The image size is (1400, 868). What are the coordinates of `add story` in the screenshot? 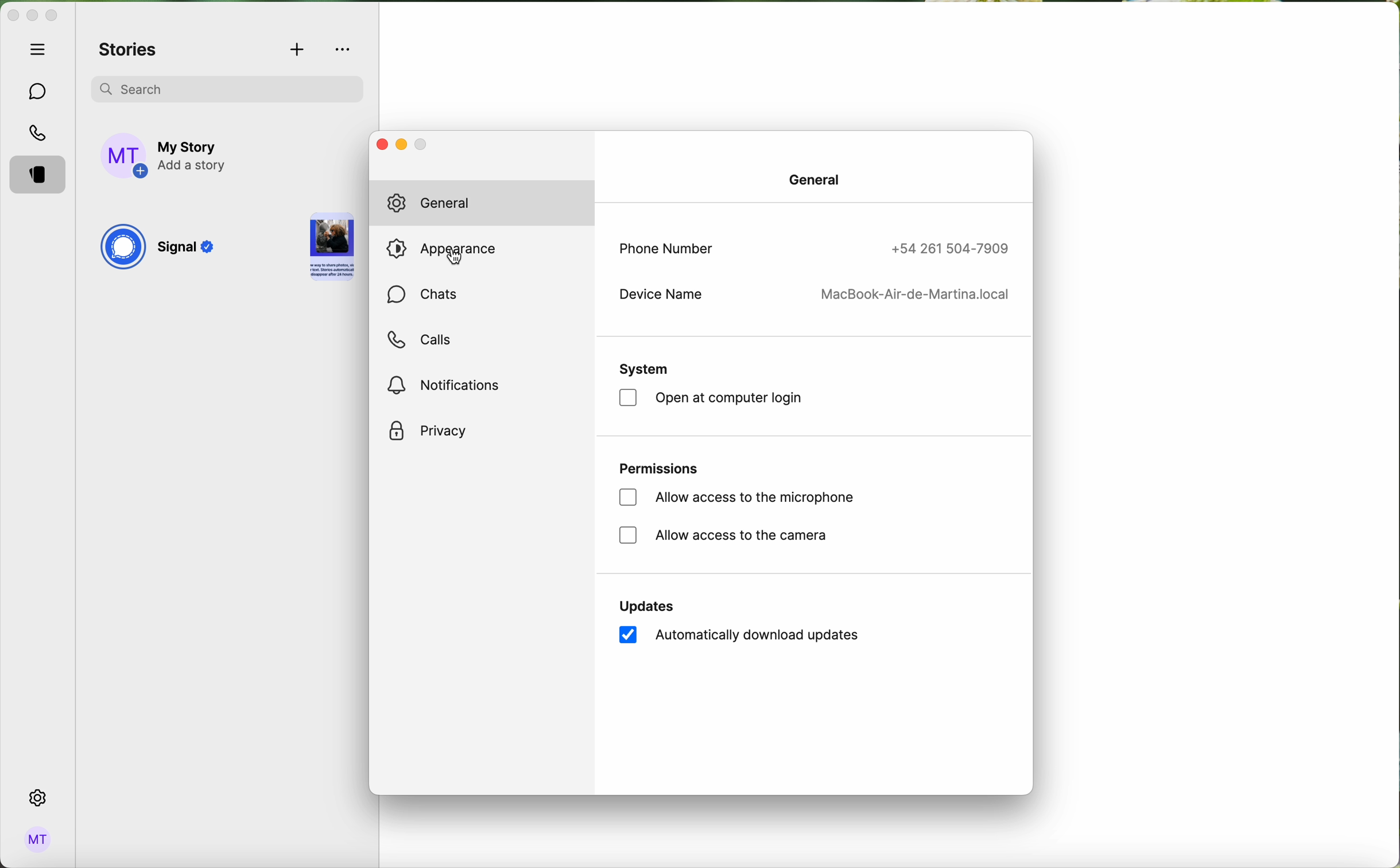 It's located at (194, 157).